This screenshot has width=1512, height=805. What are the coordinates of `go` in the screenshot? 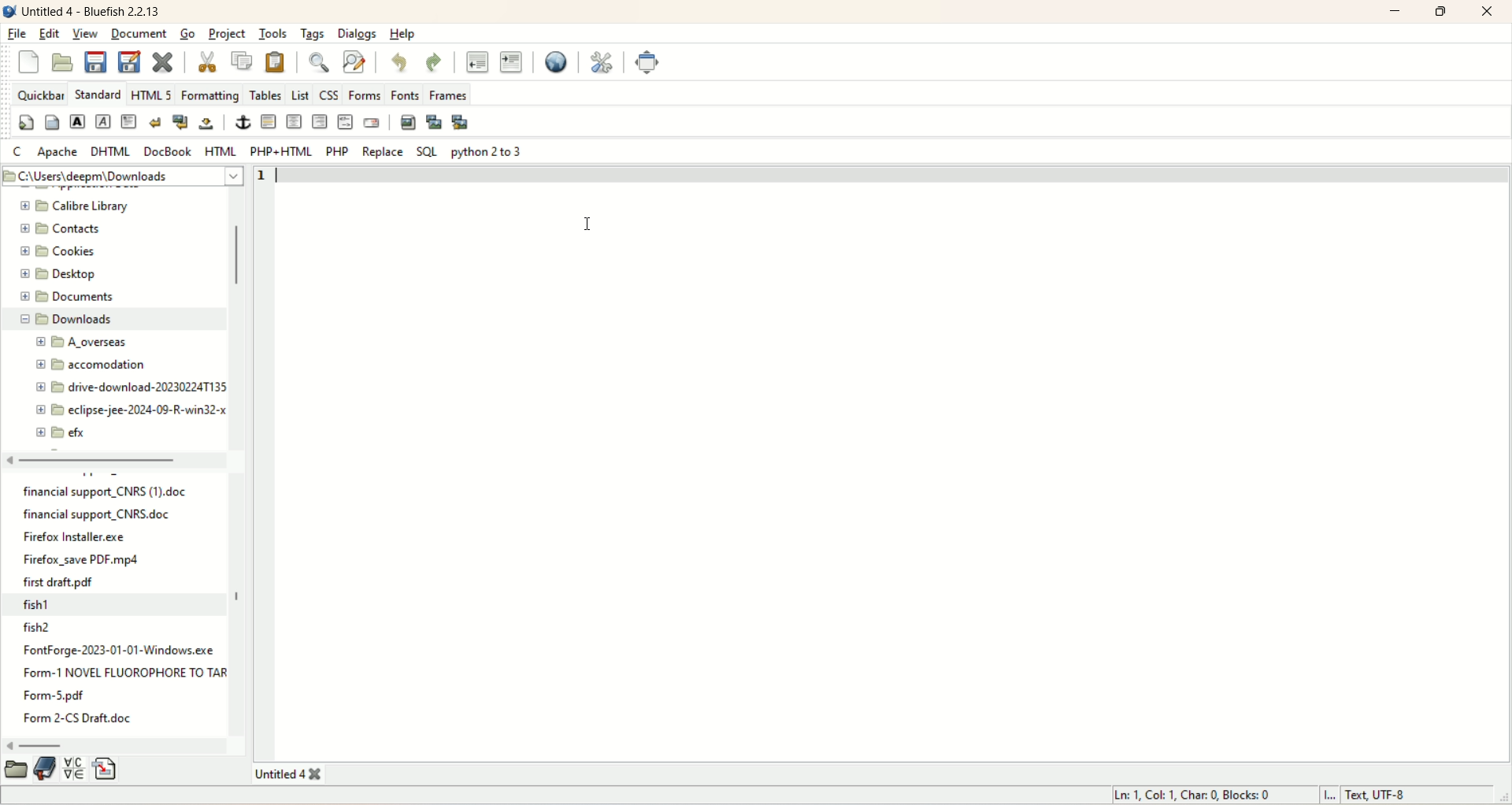 It's located at (187, 35).